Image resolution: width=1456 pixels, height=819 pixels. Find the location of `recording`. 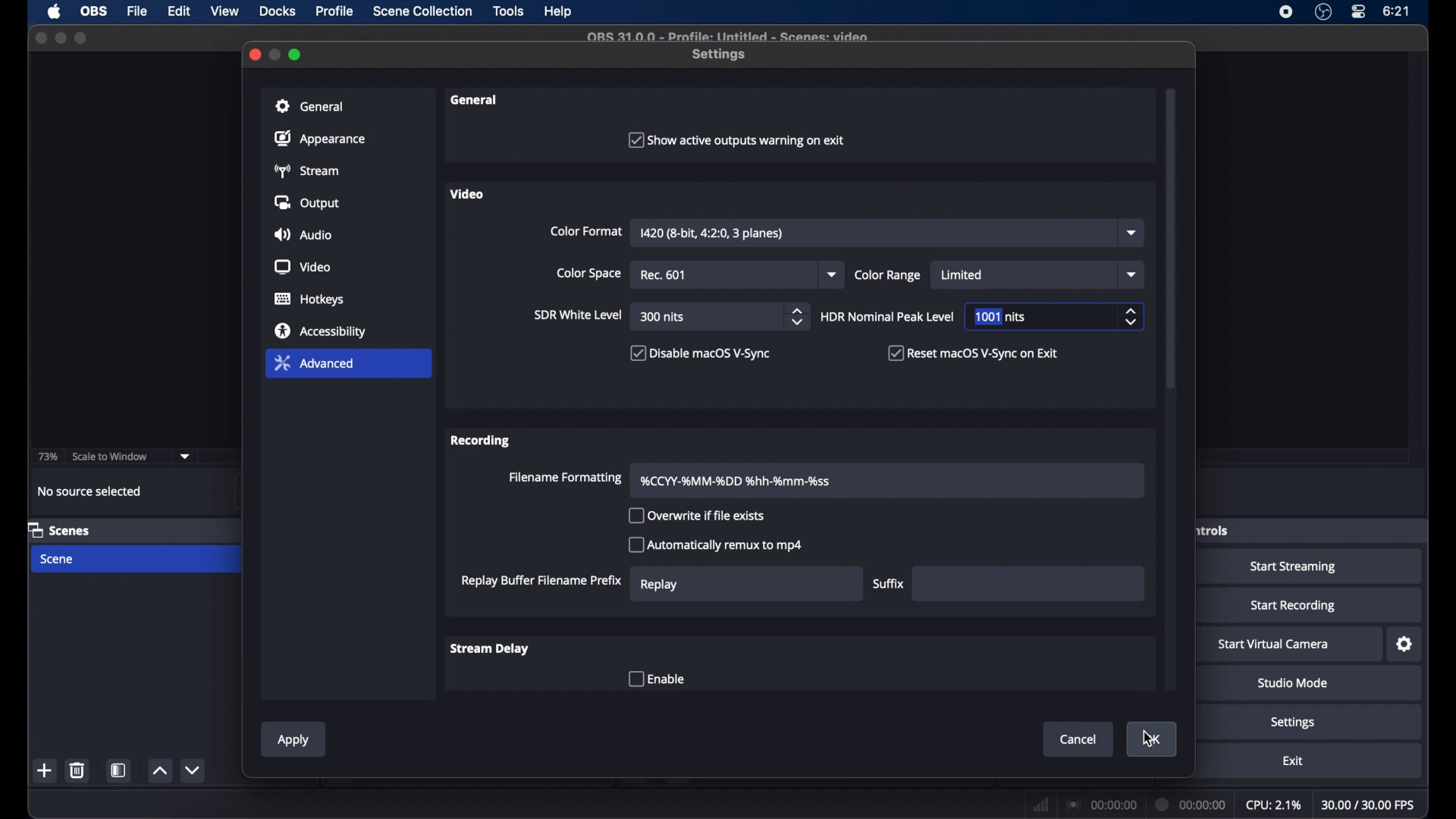

recording is located at coordinates (482, 441).